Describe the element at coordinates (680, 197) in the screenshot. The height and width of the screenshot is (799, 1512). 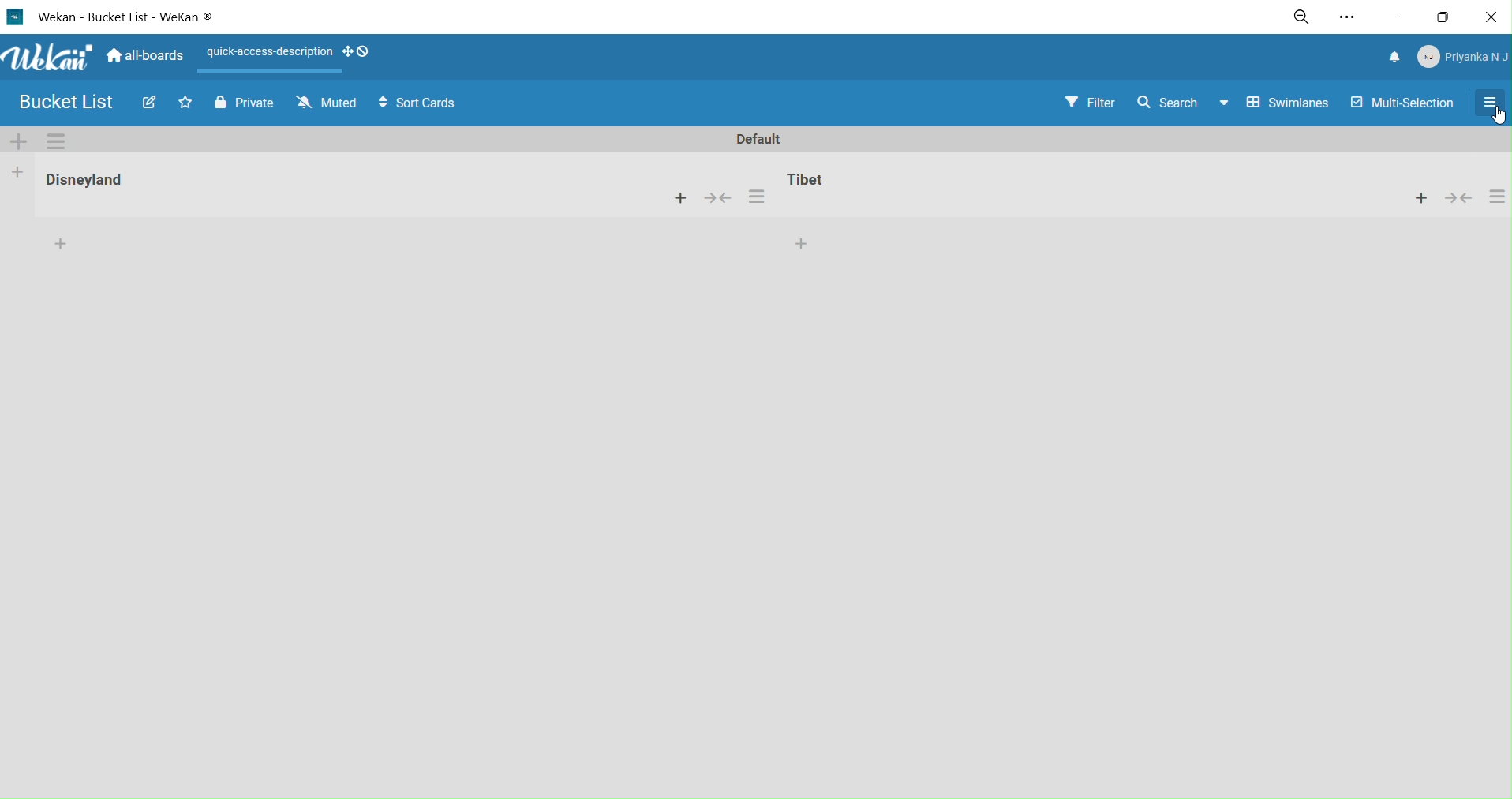
I see `add a card` at that location.